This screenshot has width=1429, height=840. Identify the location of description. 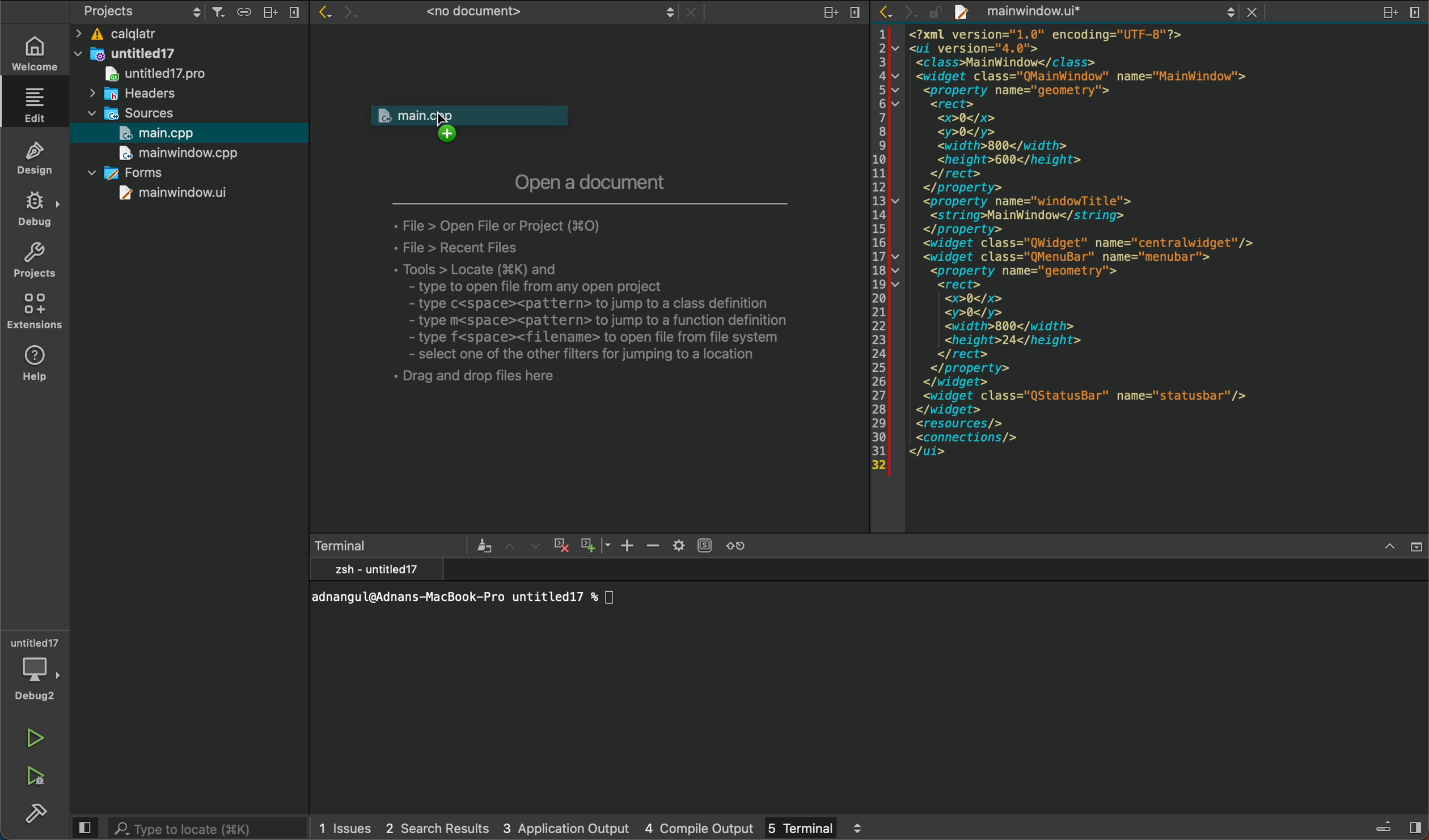
(606, 296).